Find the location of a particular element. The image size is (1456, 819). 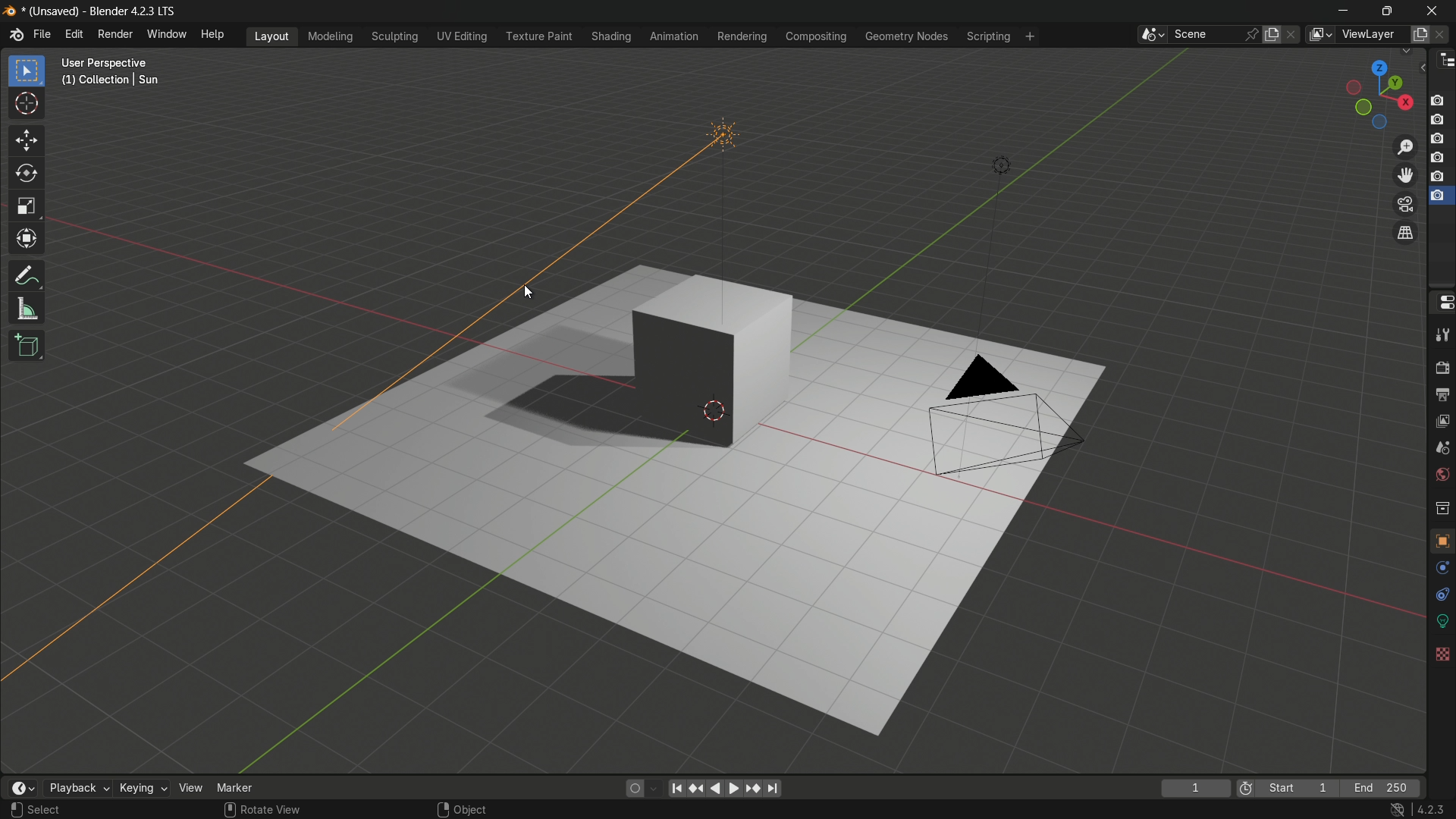

pin scene to workplace is located at coordinates (1253, 32).